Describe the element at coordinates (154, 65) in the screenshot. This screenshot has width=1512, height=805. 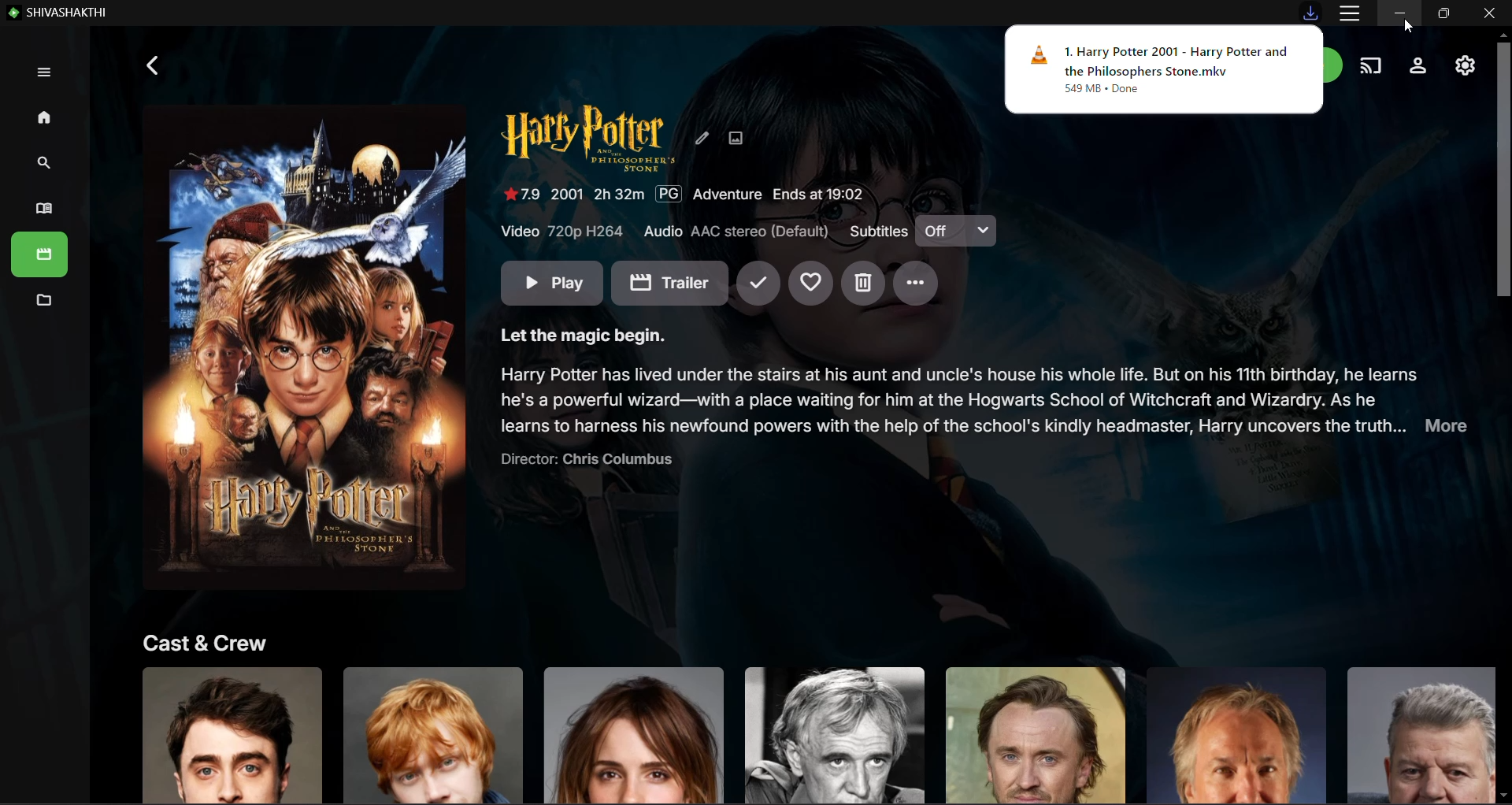
I see `Back` at that location.